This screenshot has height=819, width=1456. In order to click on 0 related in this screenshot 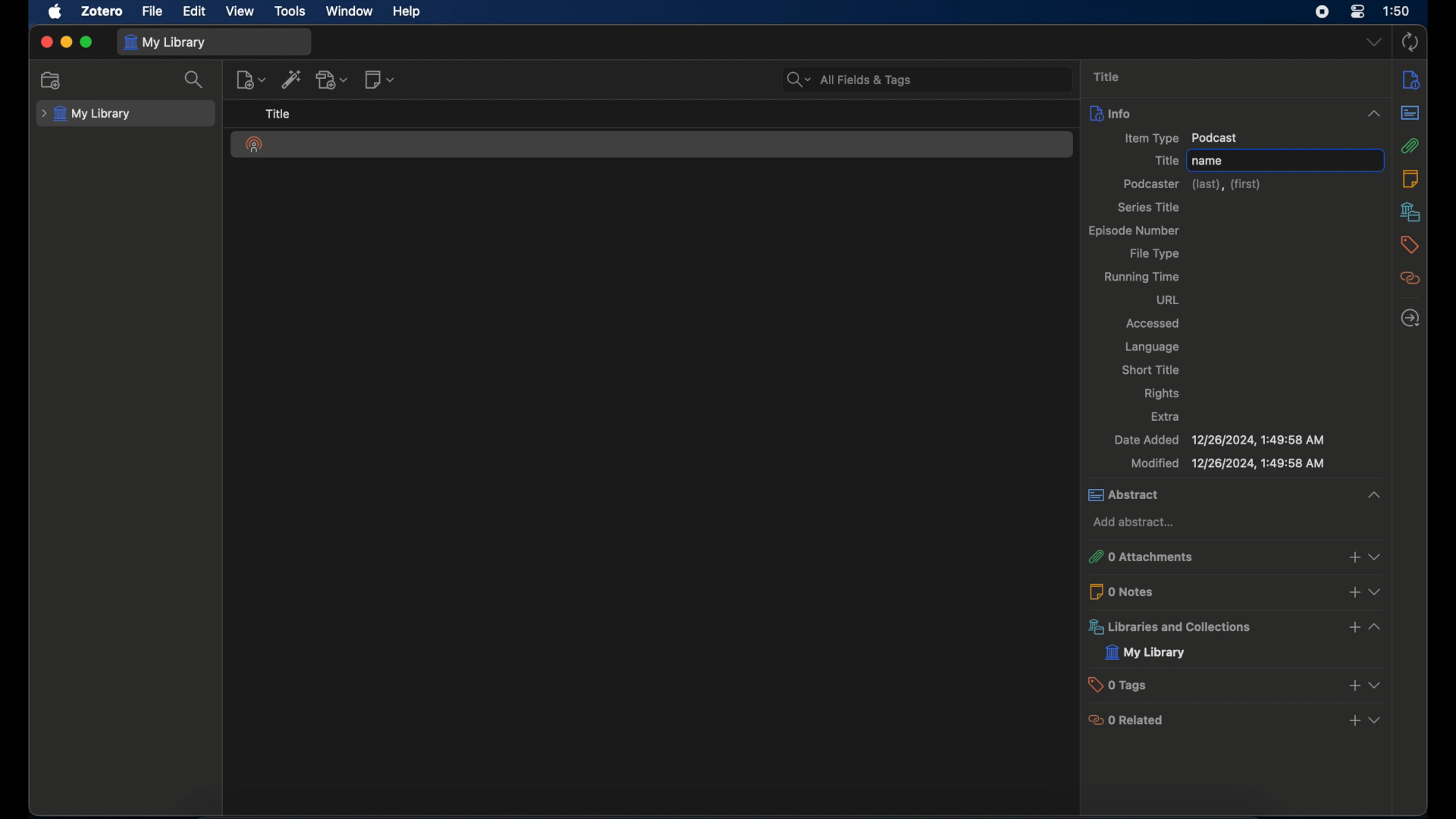, I will do `click(1237, 721)`.